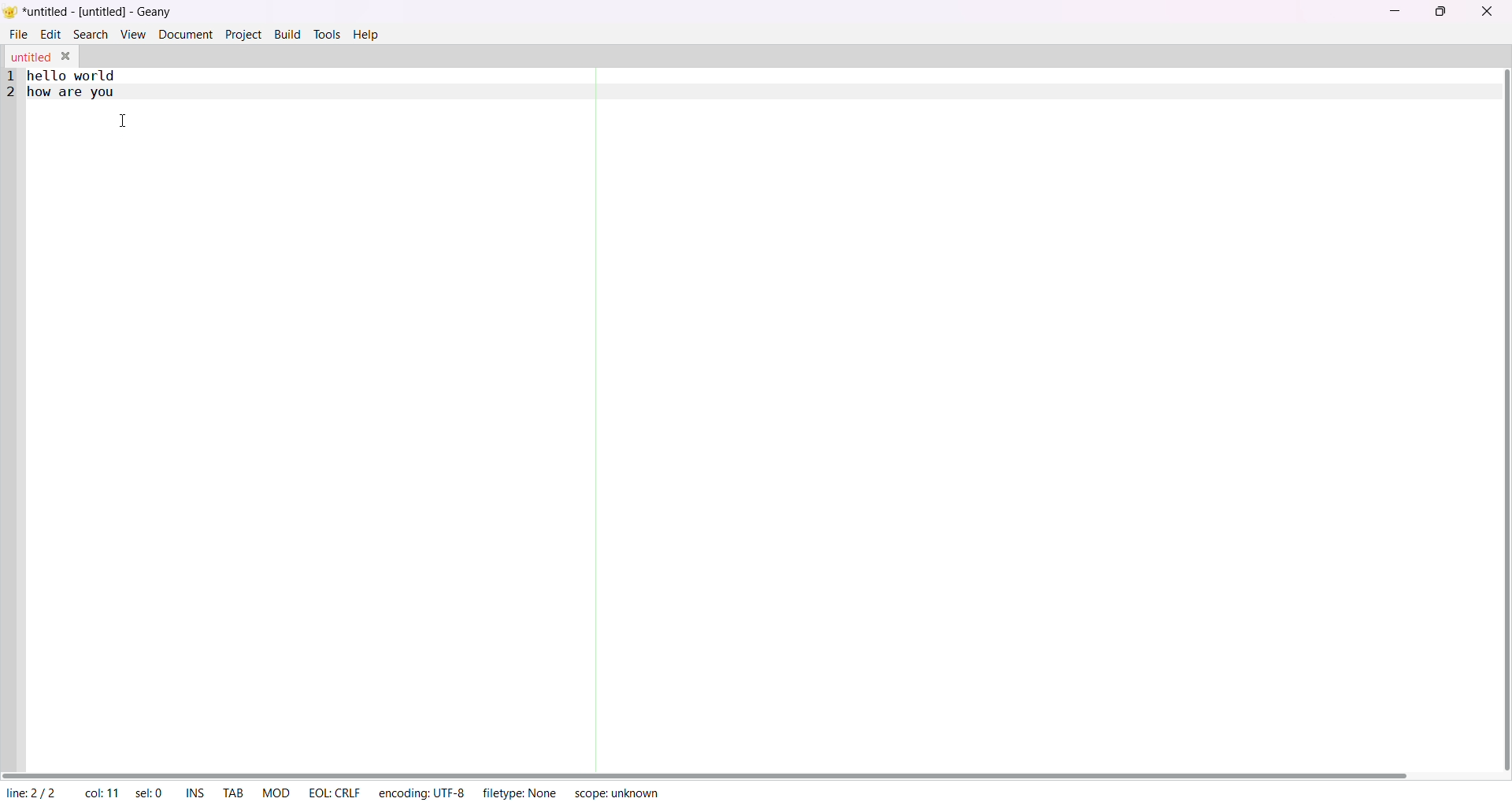  I want to click on encoding, so click(421, 792).